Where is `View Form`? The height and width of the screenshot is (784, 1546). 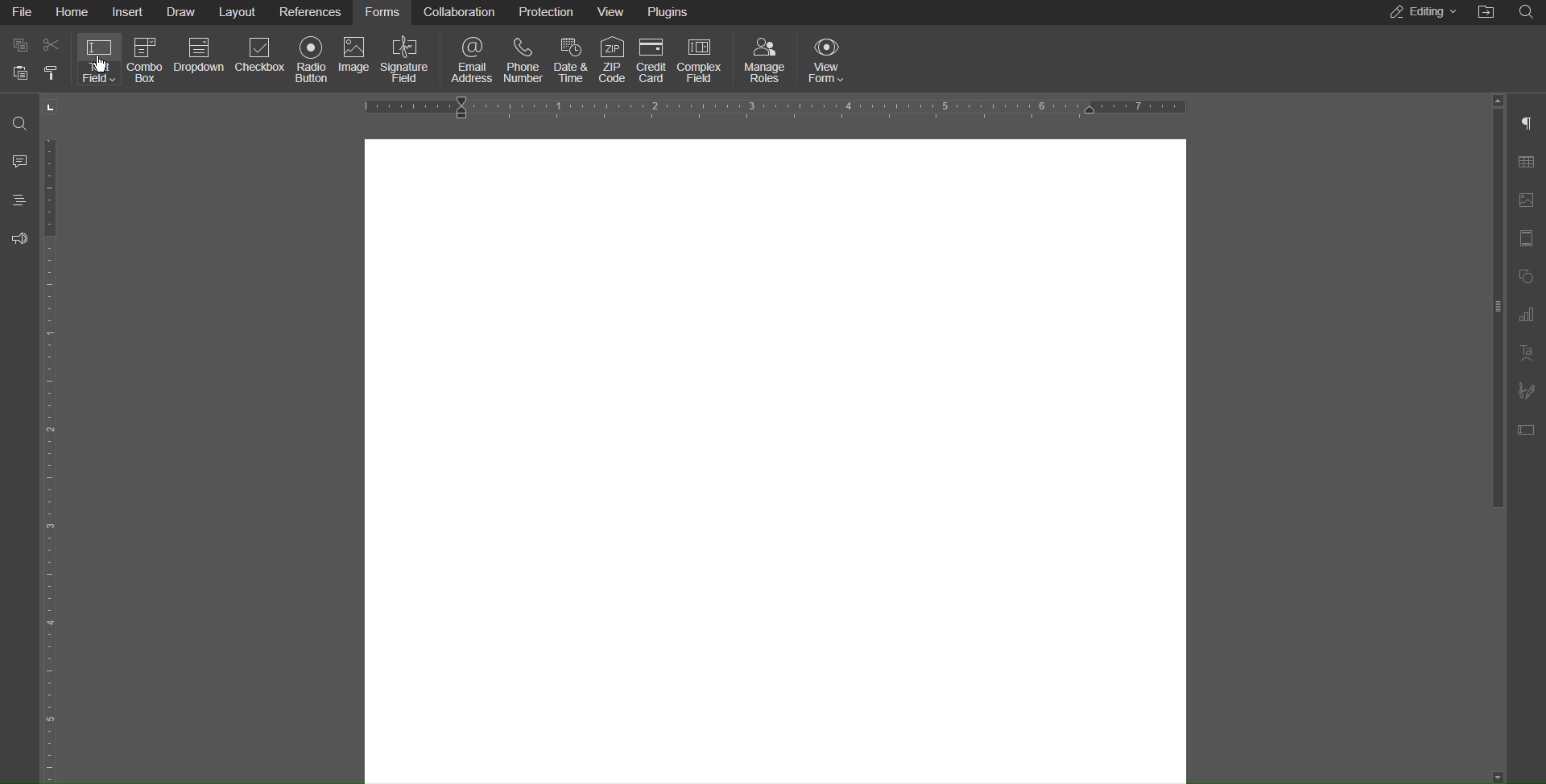
View Form is located at coordinates (830, 62).